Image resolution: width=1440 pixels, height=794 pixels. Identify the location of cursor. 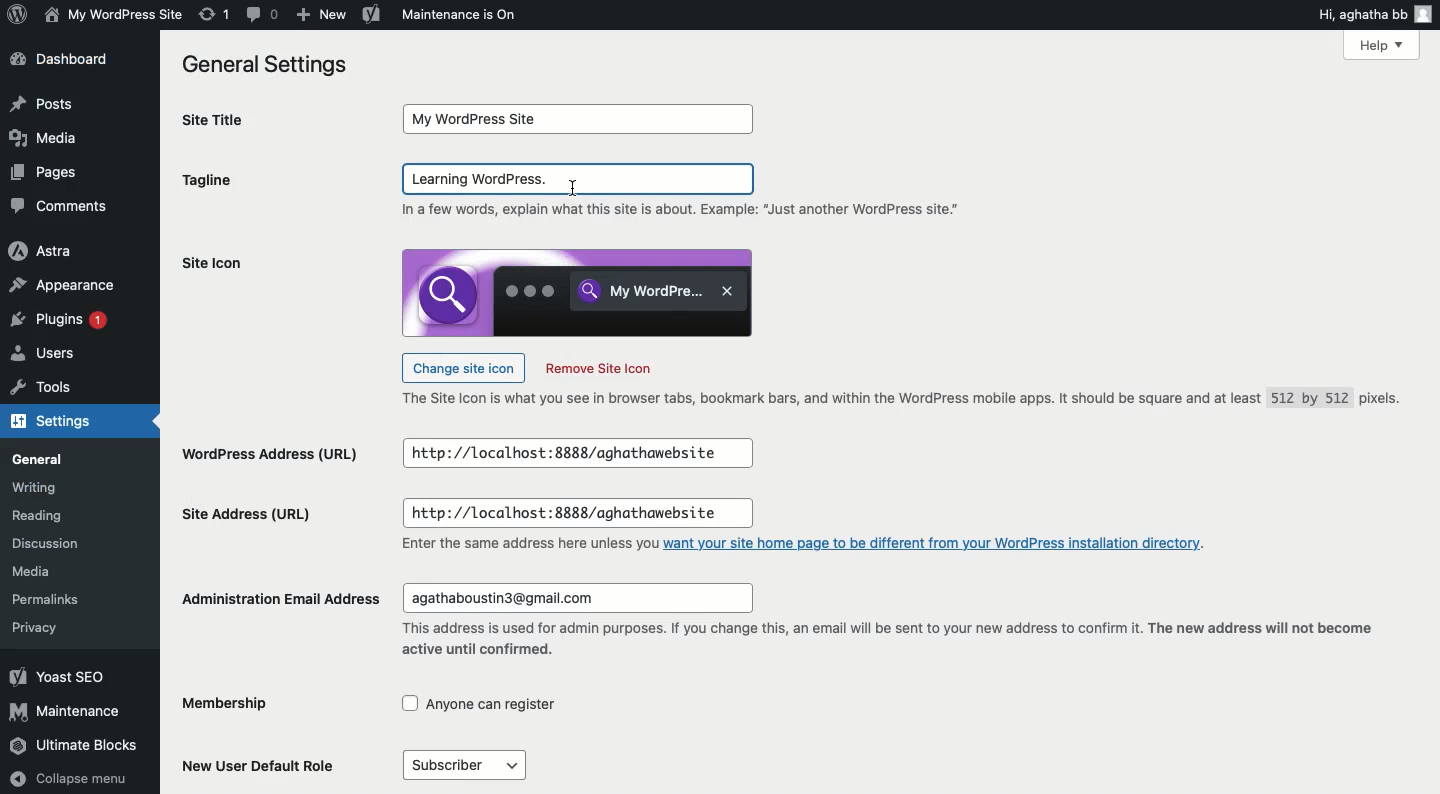
(575, 187).